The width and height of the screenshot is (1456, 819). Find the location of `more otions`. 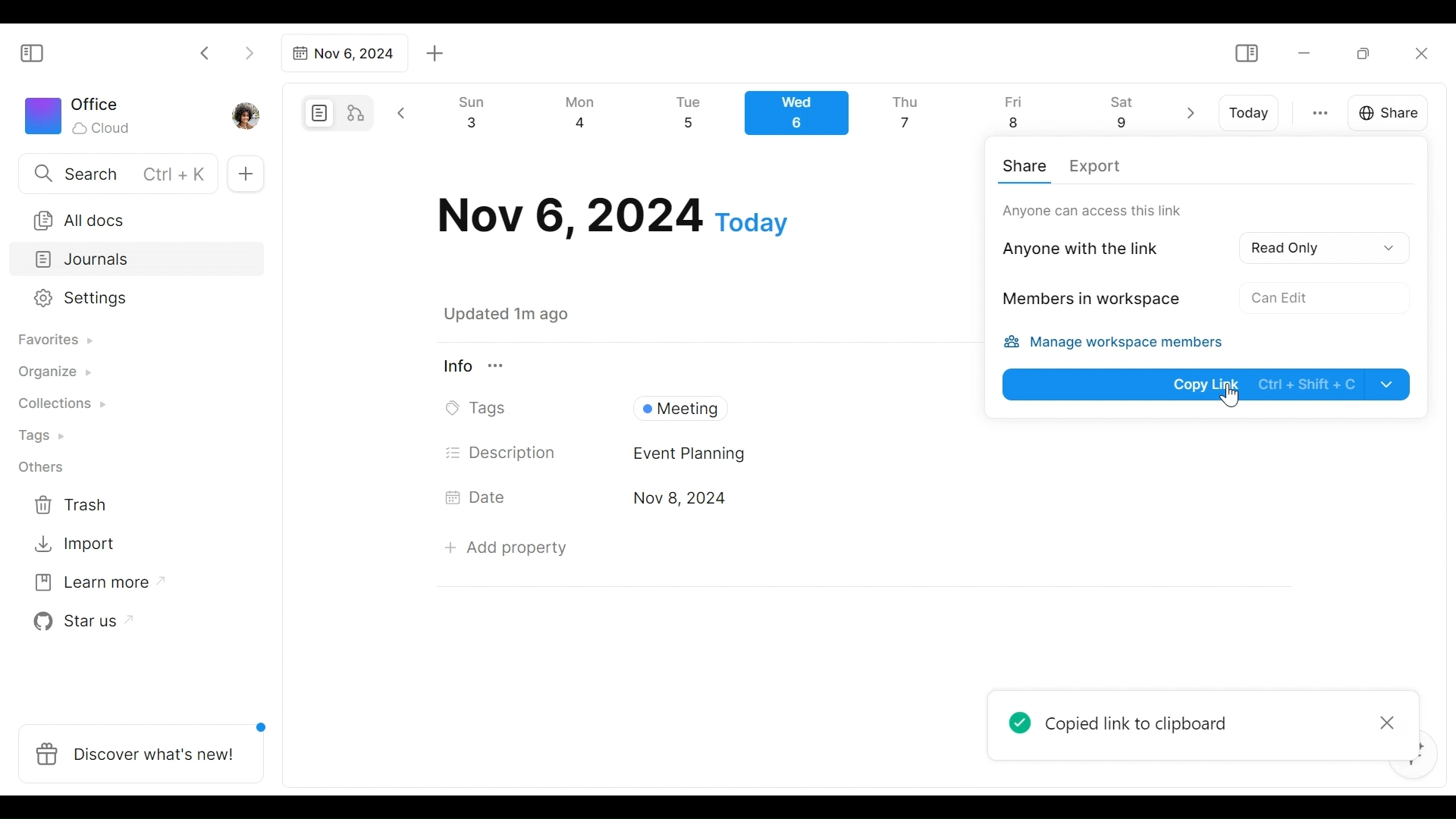

more otions is located at coordinates (1320, 111).